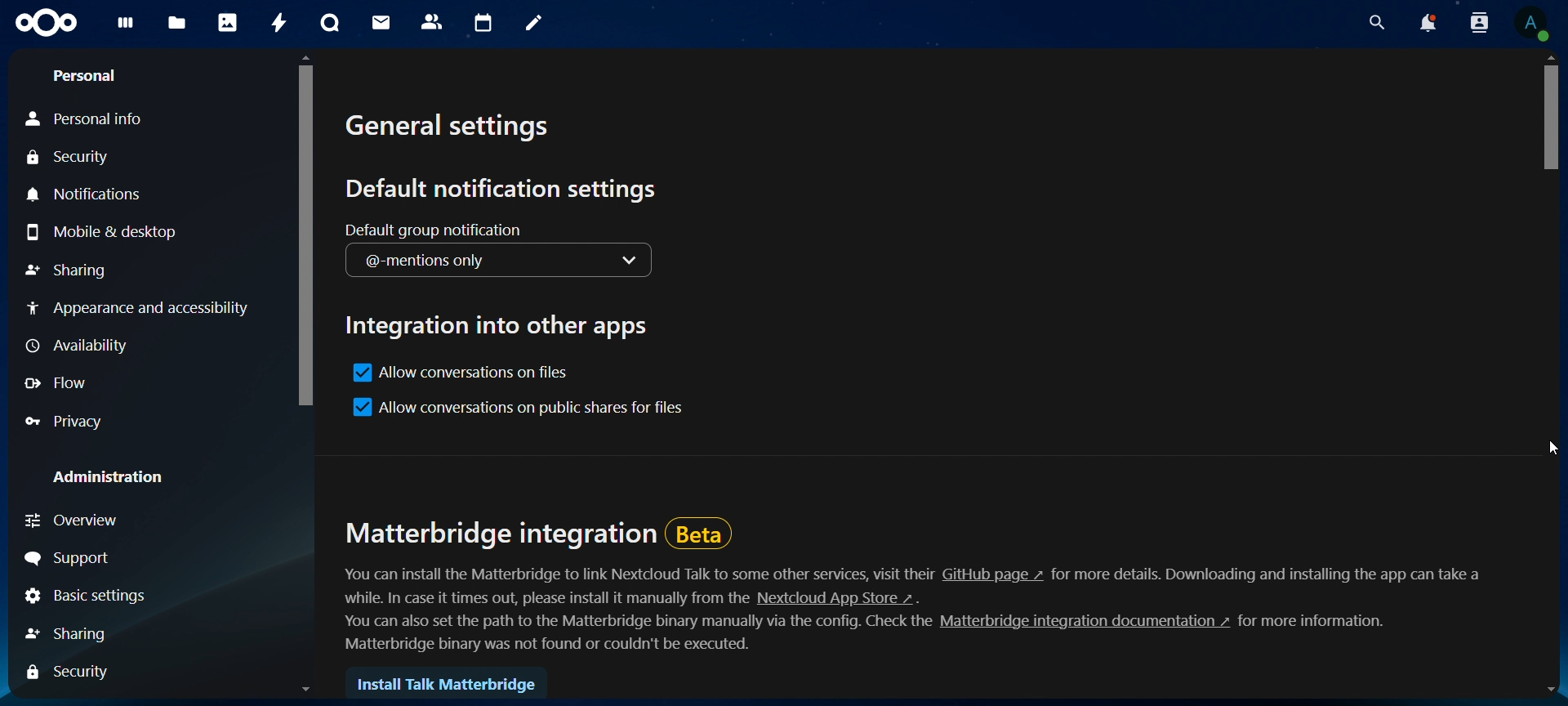  I want to click on install talk matterbridge, so click(449, 677).